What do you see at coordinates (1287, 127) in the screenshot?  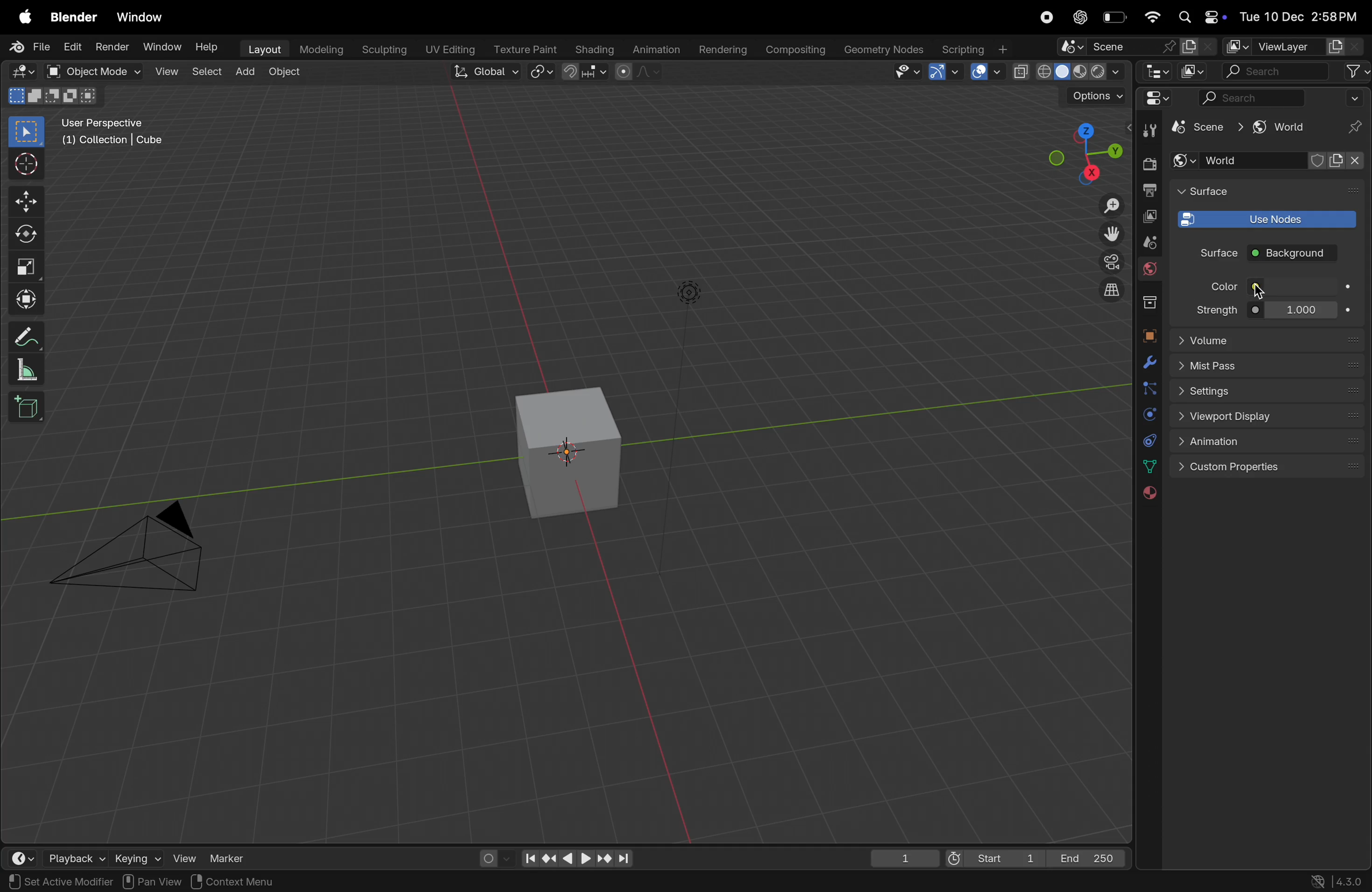 I see `` at bounding box center [1287, 127].